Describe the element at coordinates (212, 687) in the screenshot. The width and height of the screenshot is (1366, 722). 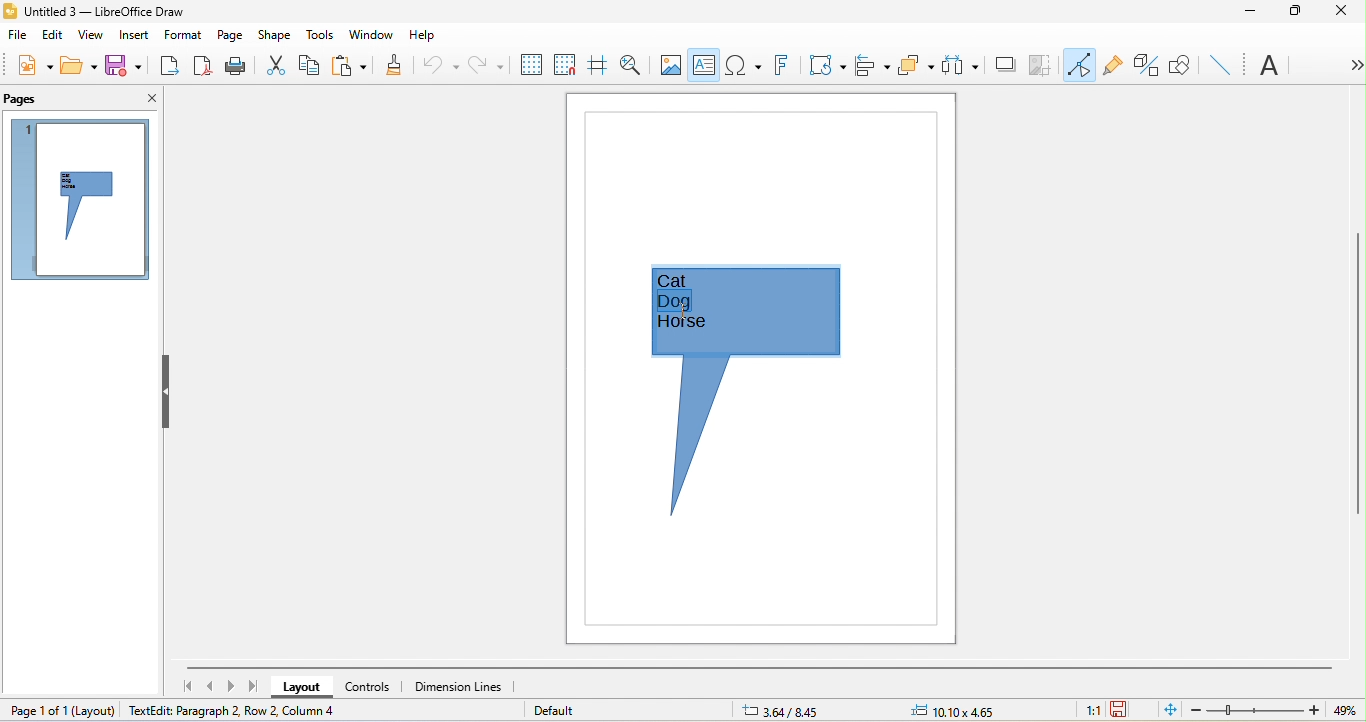
I see `previous page` at that location.